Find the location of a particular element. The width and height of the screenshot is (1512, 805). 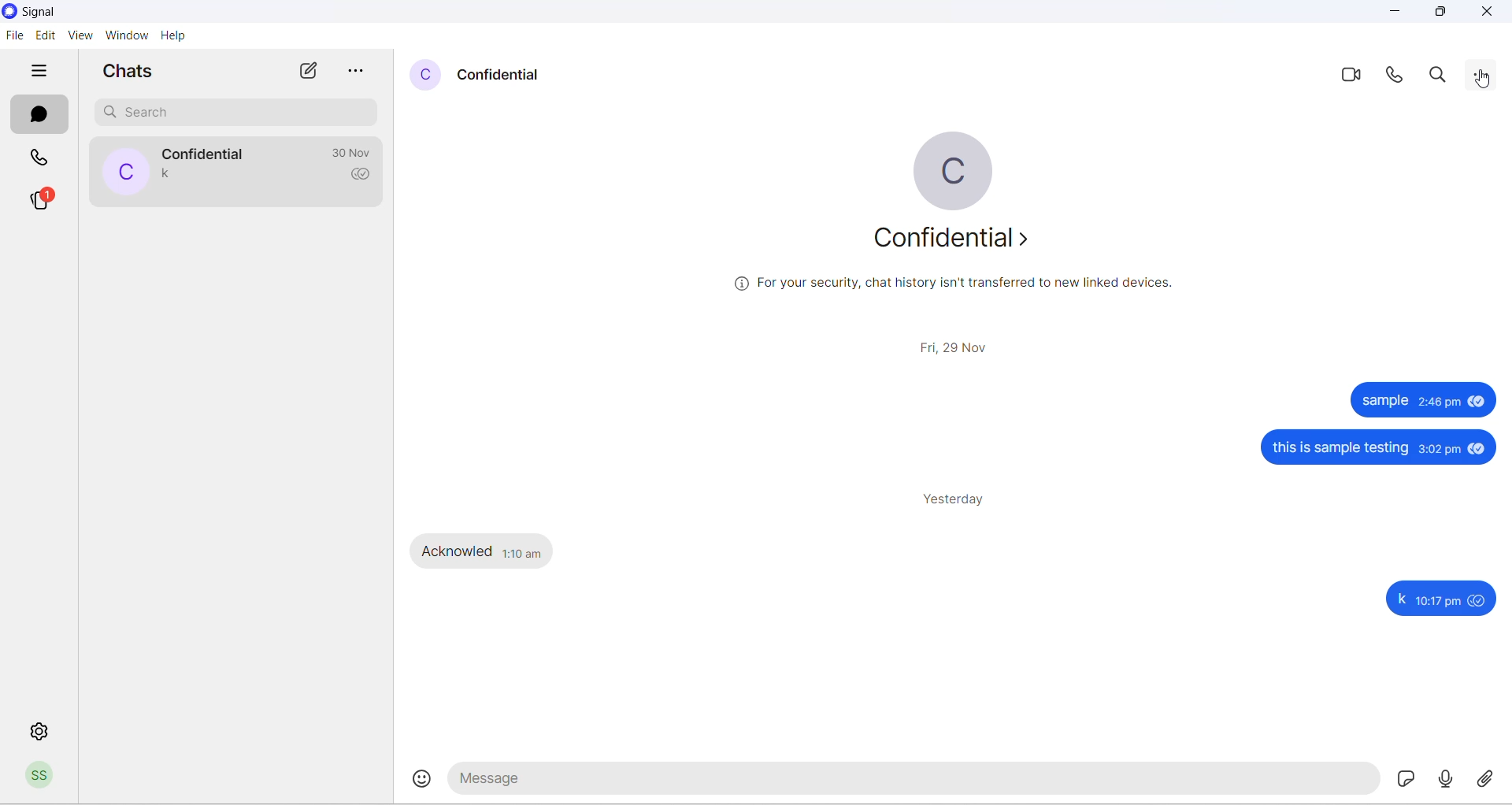

maximize is located at coordinates (1440, 14).